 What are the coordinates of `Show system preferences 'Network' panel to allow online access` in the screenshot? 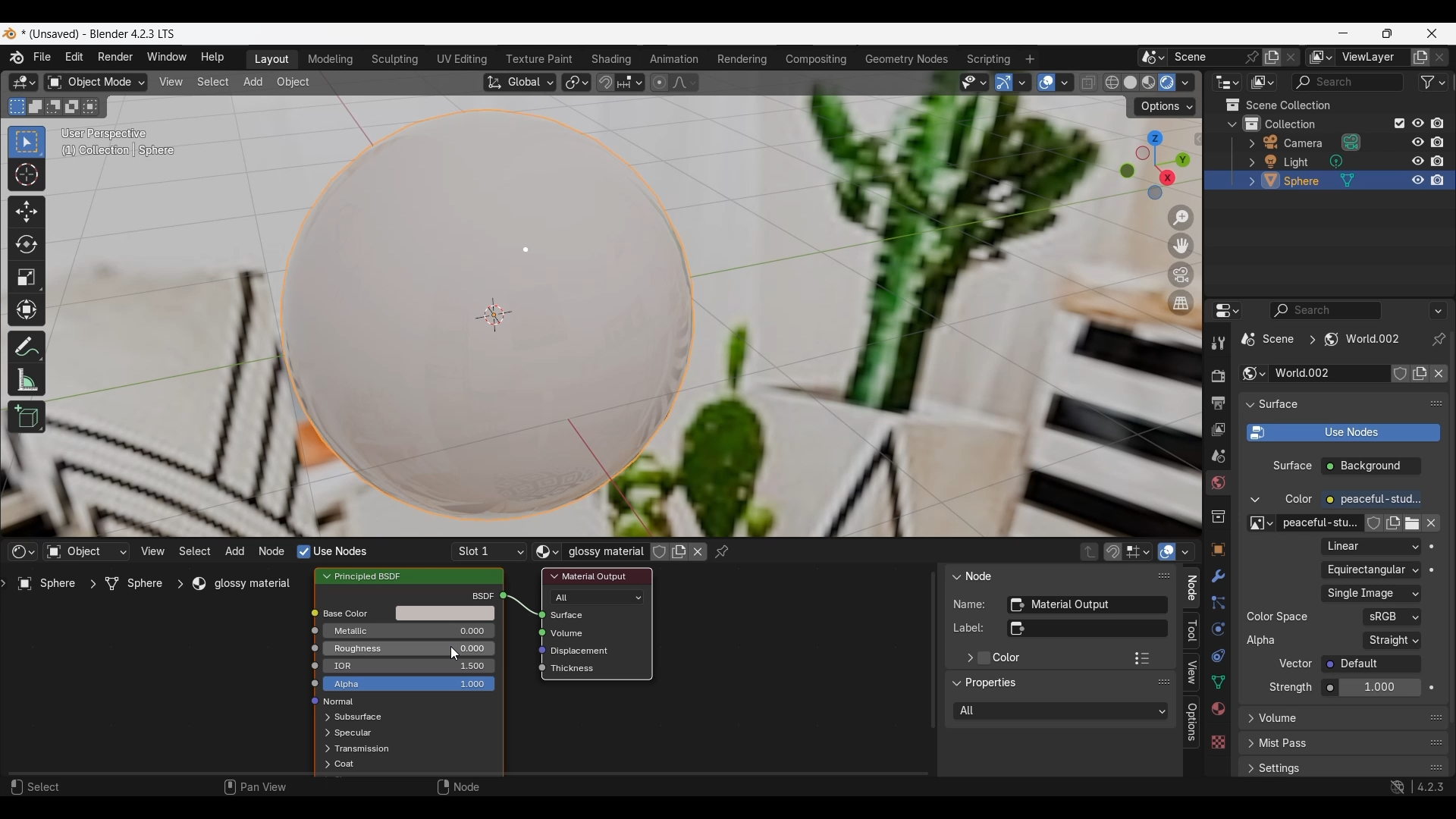 It's located at (1398, 787).